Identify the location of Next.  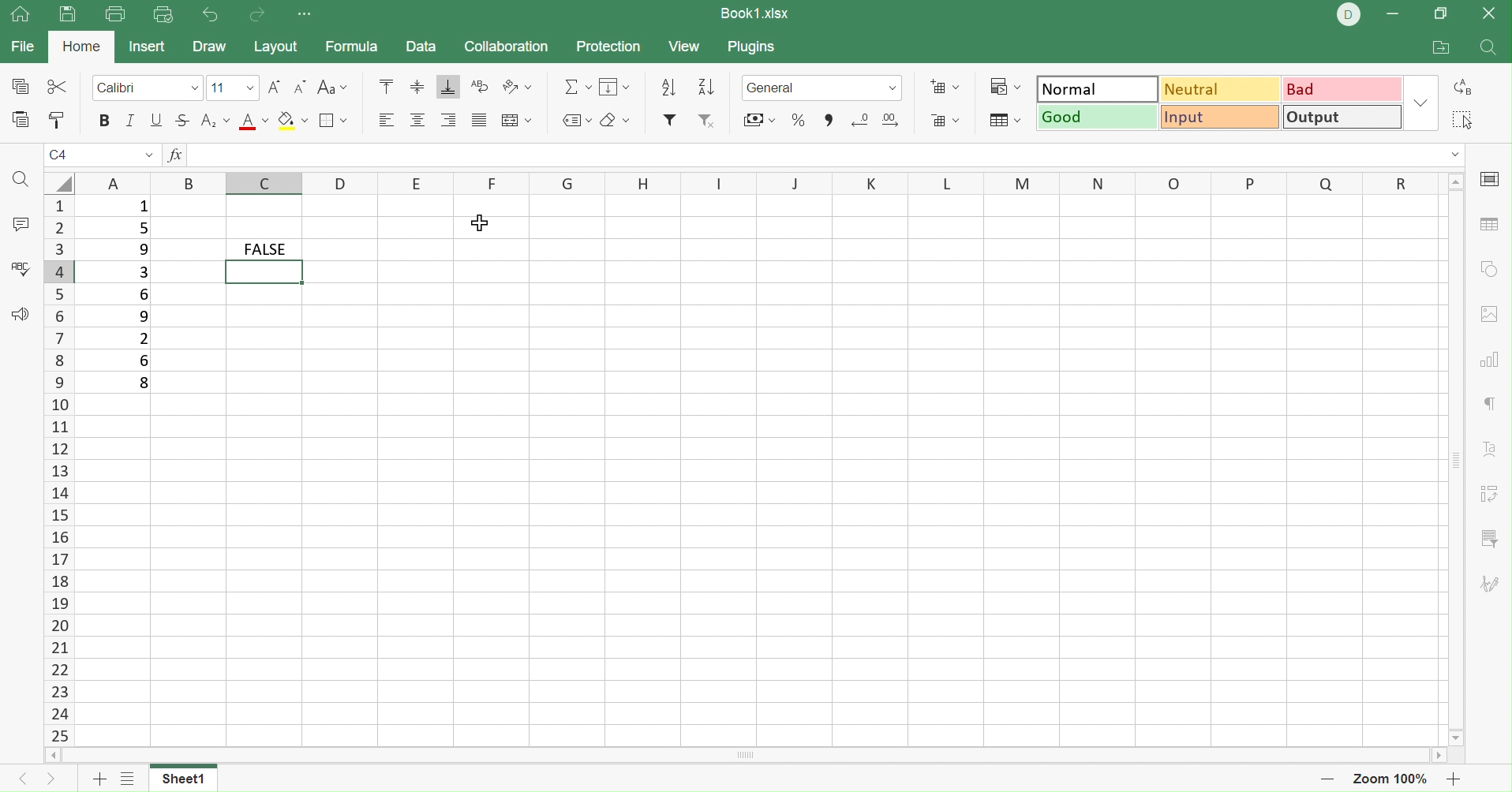
(49, 781).